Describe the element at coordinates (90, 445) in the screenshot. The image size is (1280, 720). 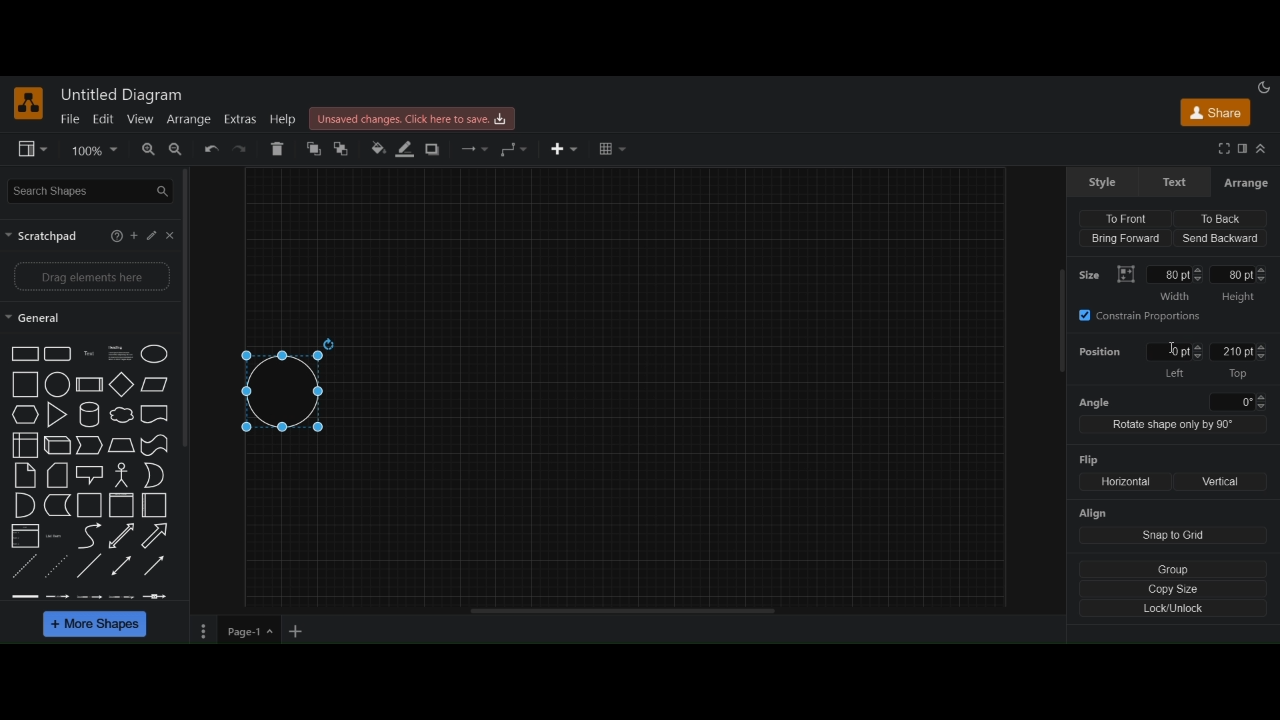
I see `arrow` at that location.